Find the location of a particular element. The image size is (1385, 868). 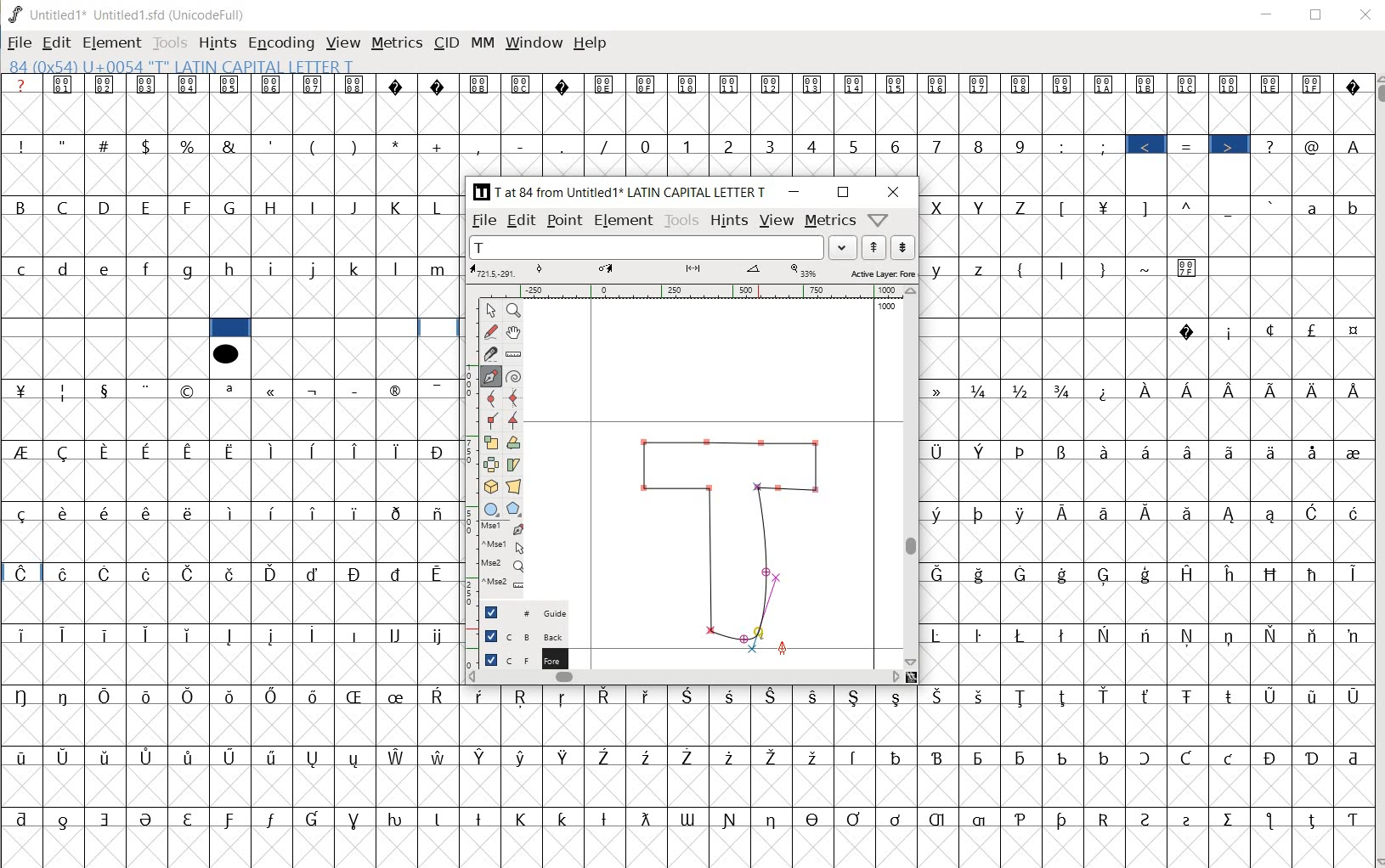

Symbol is located at coordinates (440, 817).